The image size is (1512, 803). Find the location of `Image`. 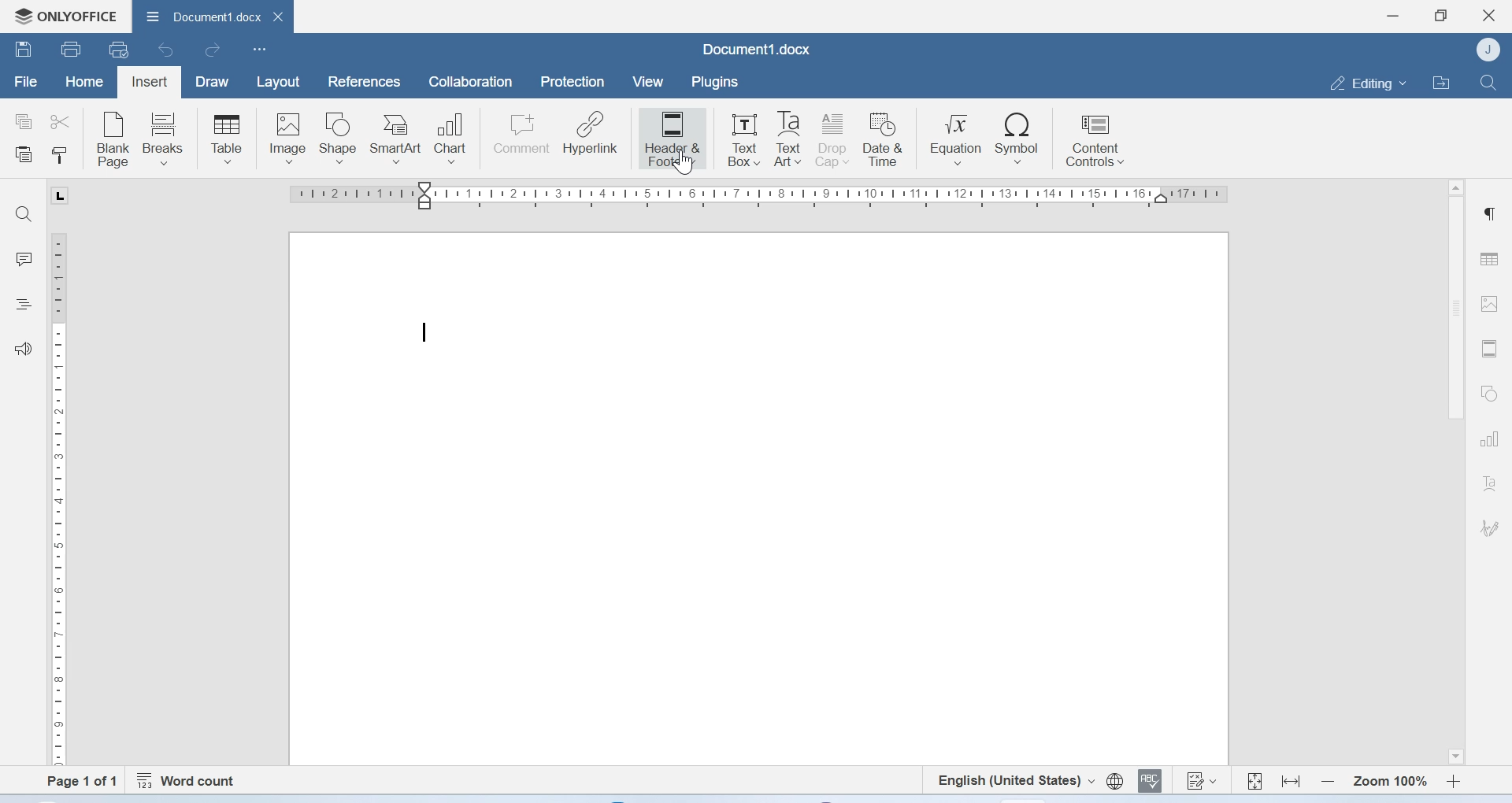

Image is located at coordinates (287, 137).